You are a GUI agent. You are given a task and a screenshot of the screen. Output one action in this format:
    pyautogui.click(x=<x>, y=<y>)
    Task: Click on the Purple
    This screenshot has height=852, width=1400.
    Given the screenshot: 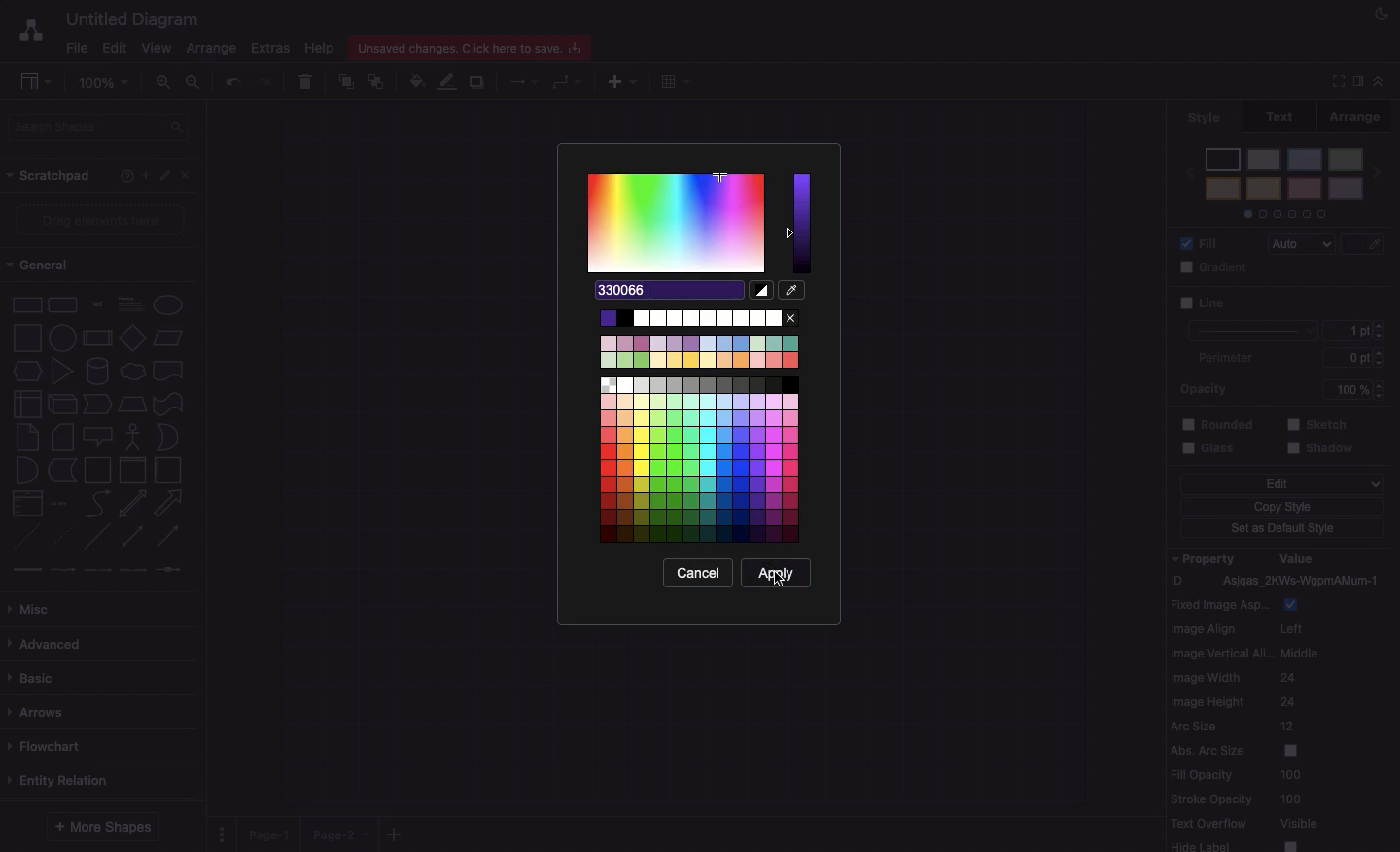 What is the action you would take?
    pyautogui.click(x=800, y=224)
    